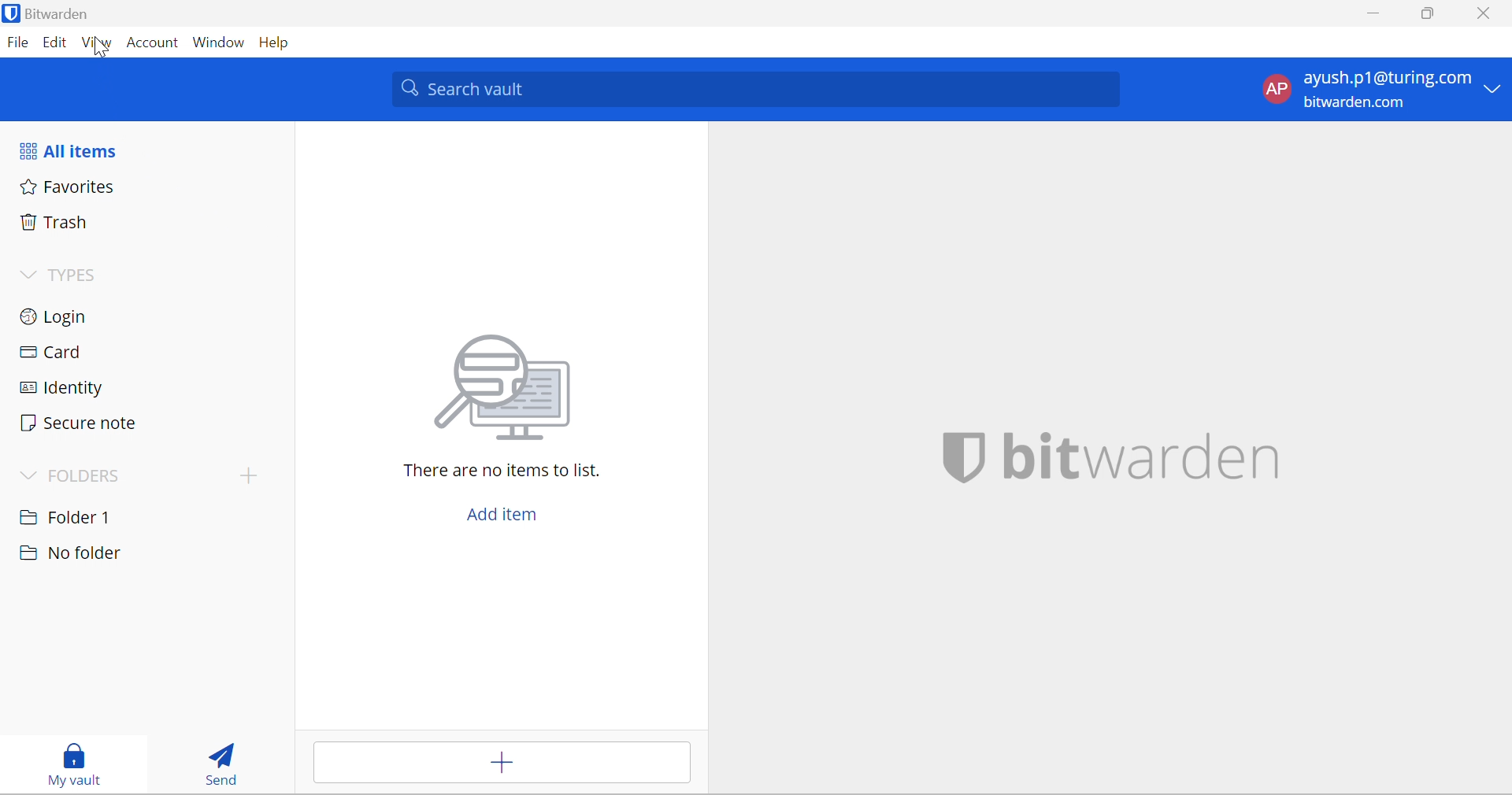 This screenshot has width=1512, height=795. I want to click on Add Entry, so click(502, 763).